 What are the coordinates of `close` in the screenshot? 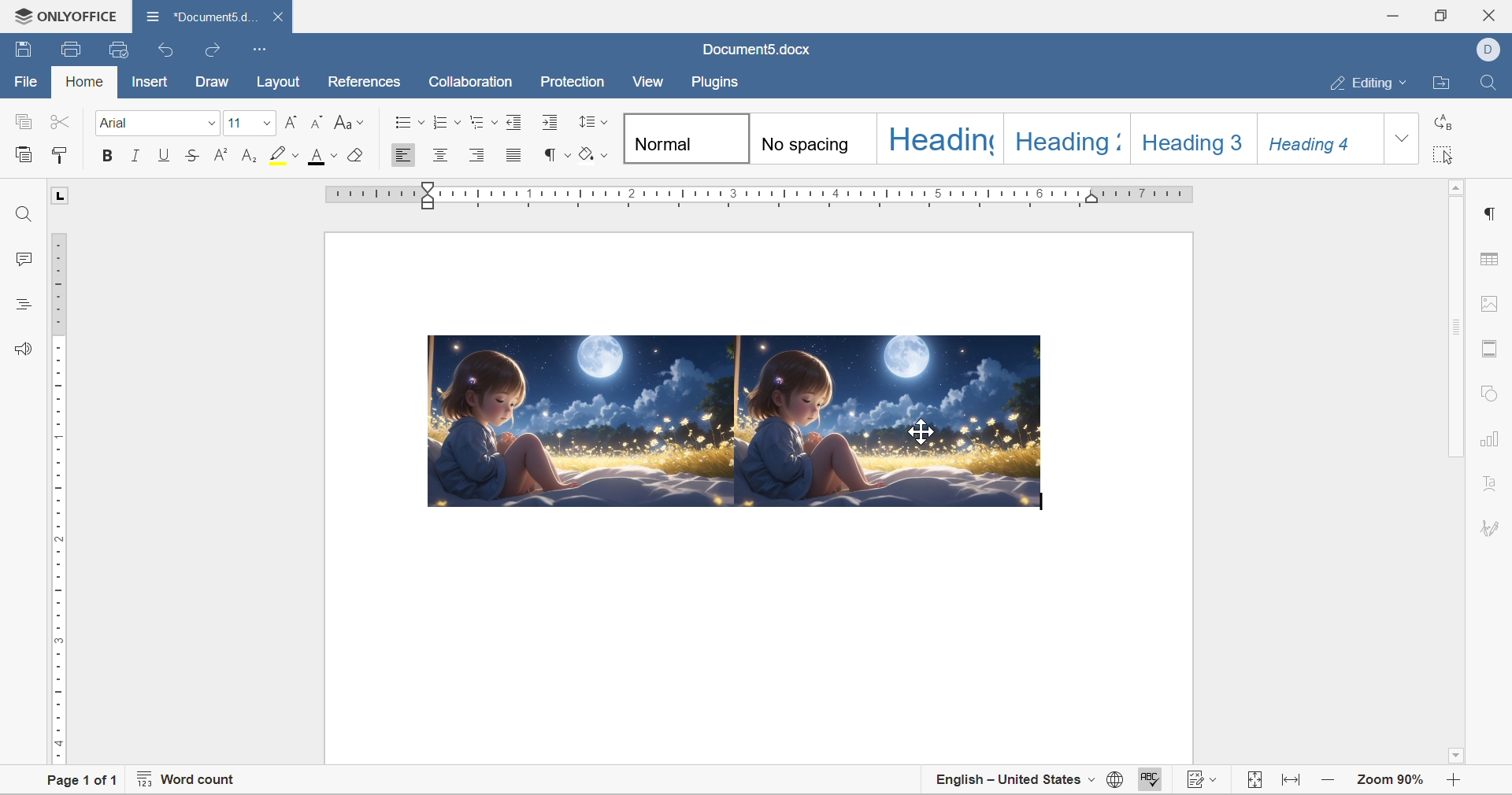 It's located at (276, 17).